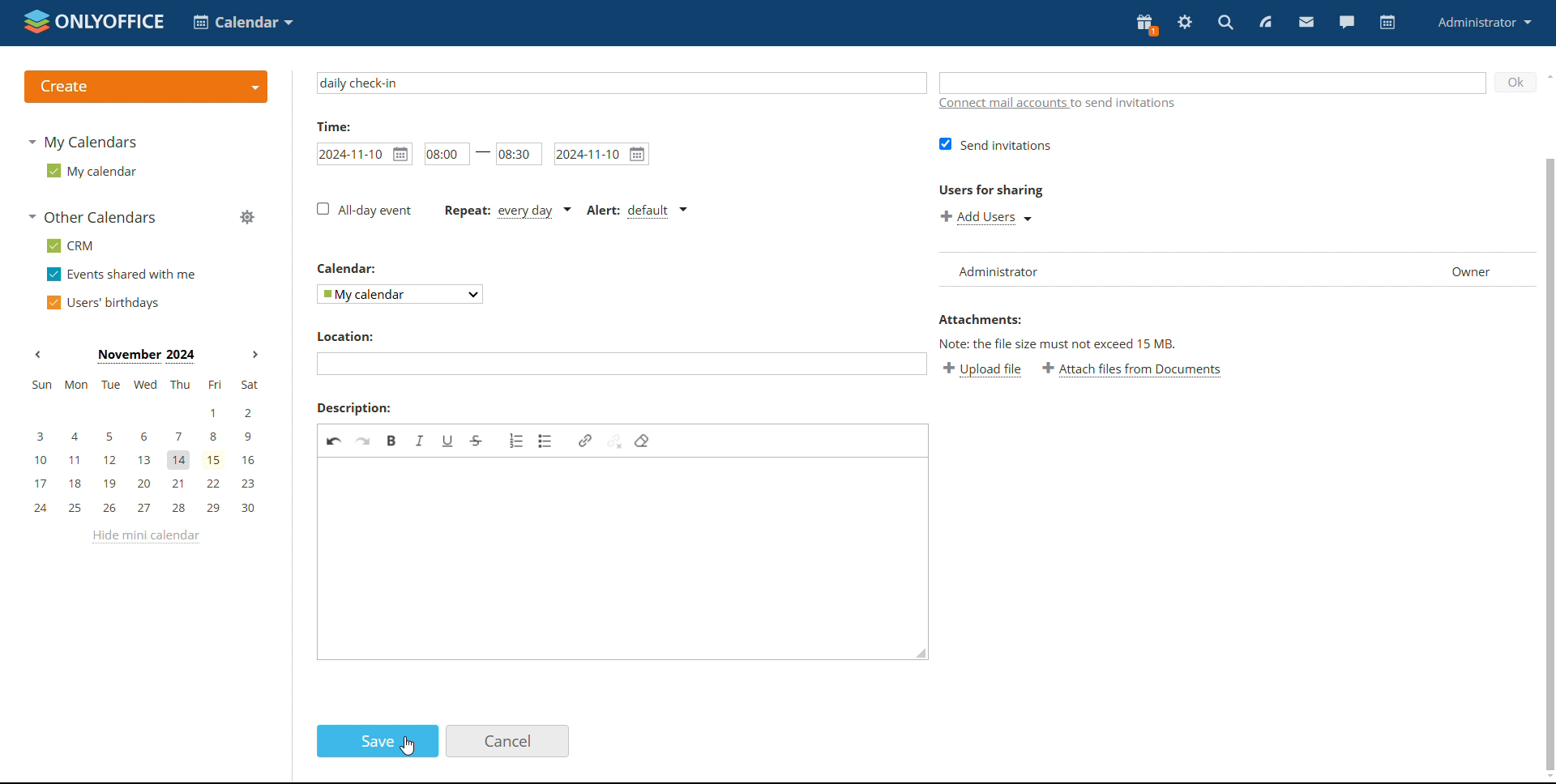 The width and height of the screenshot is (1556, 784). What do you see at coordinates (122, 275) in the screenshot?
I see `events shared with me` at bounding box center [122, 275].